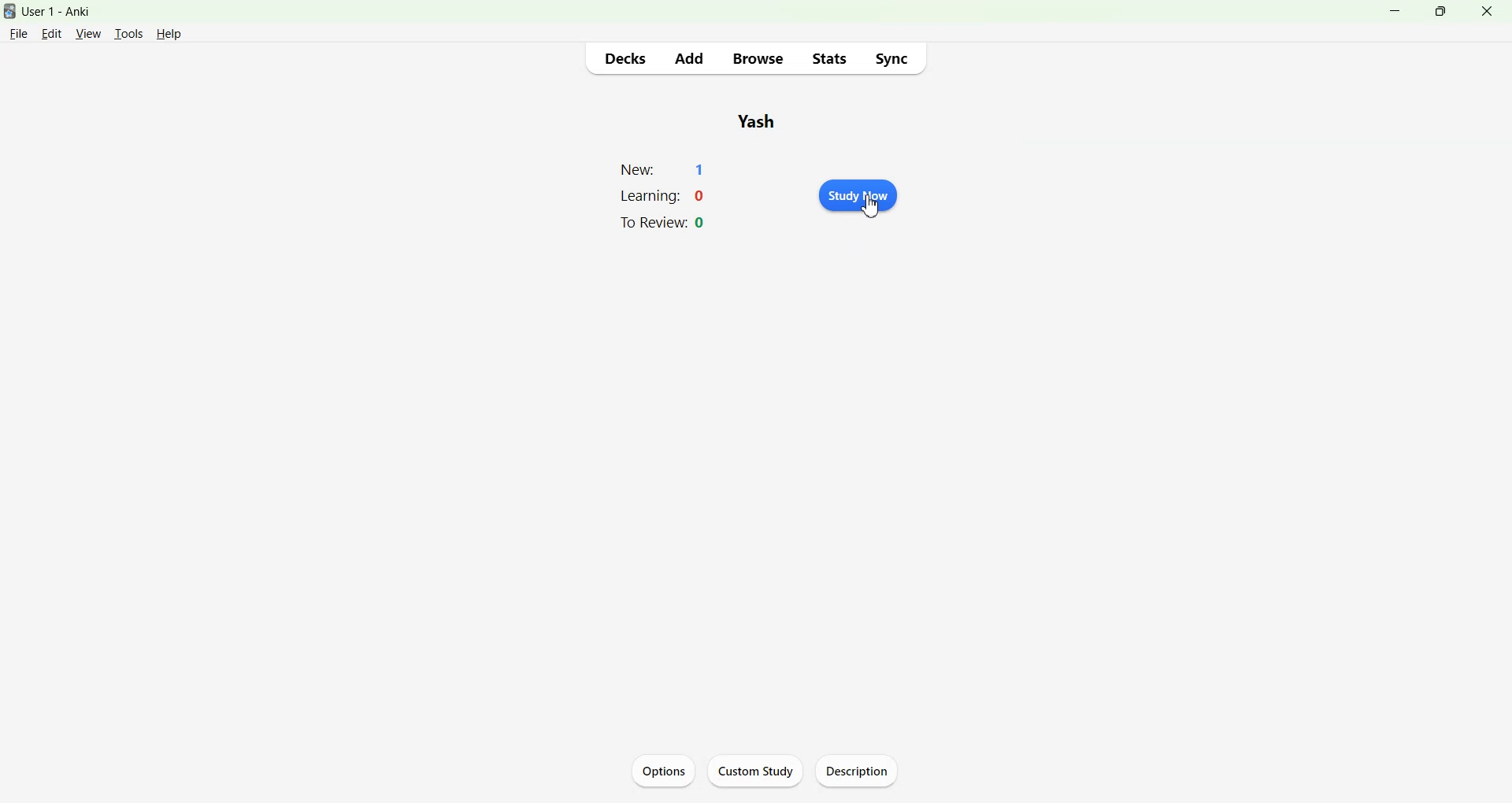  What do you see at coordinates (128, 34) in the screenshot?
I see `Tools` at bounding box center [128, 34].